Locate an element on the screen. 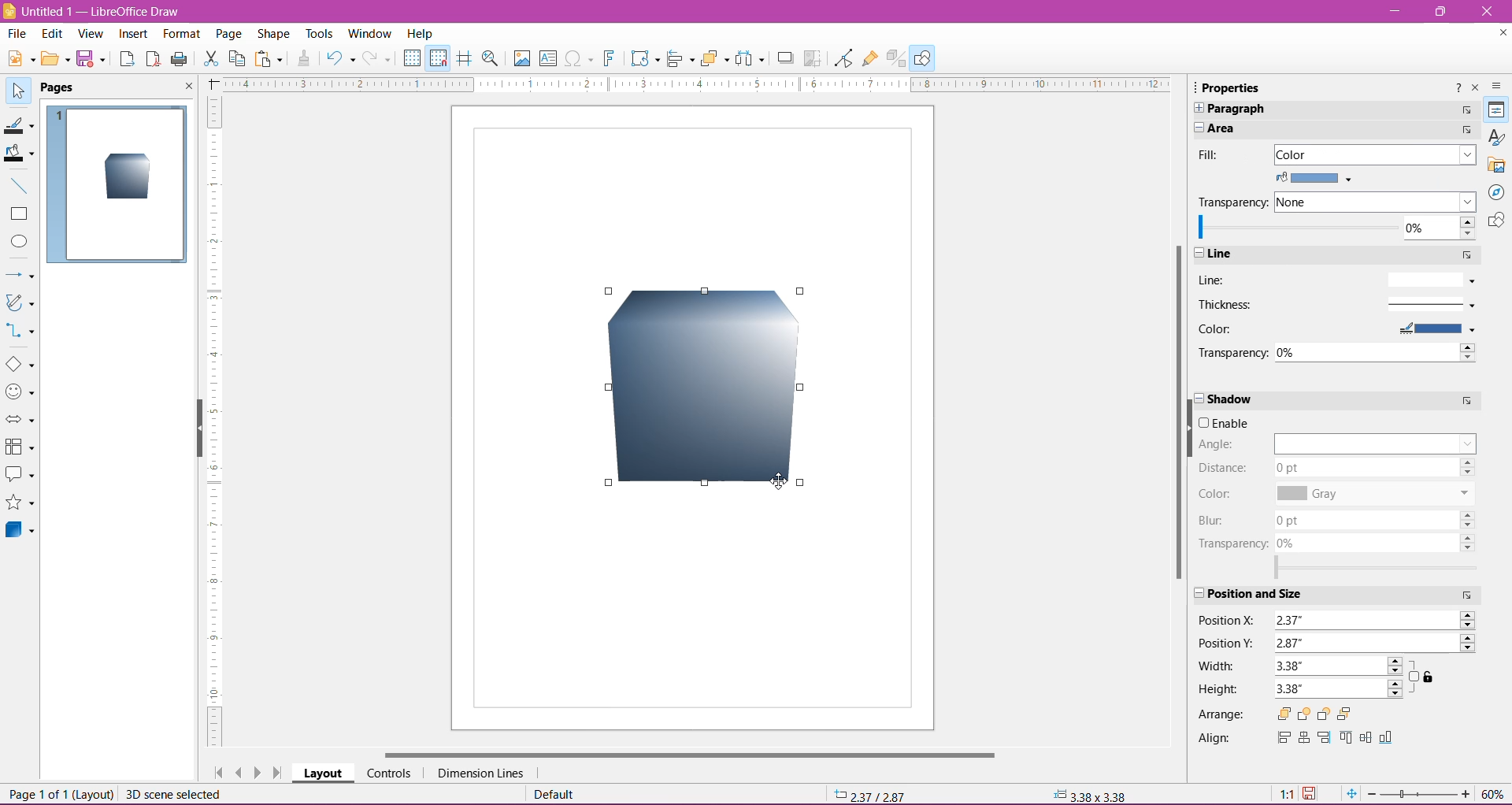 The width and height of the screenshot is (1512, 805). Undo is located at coordinates (340, 60).